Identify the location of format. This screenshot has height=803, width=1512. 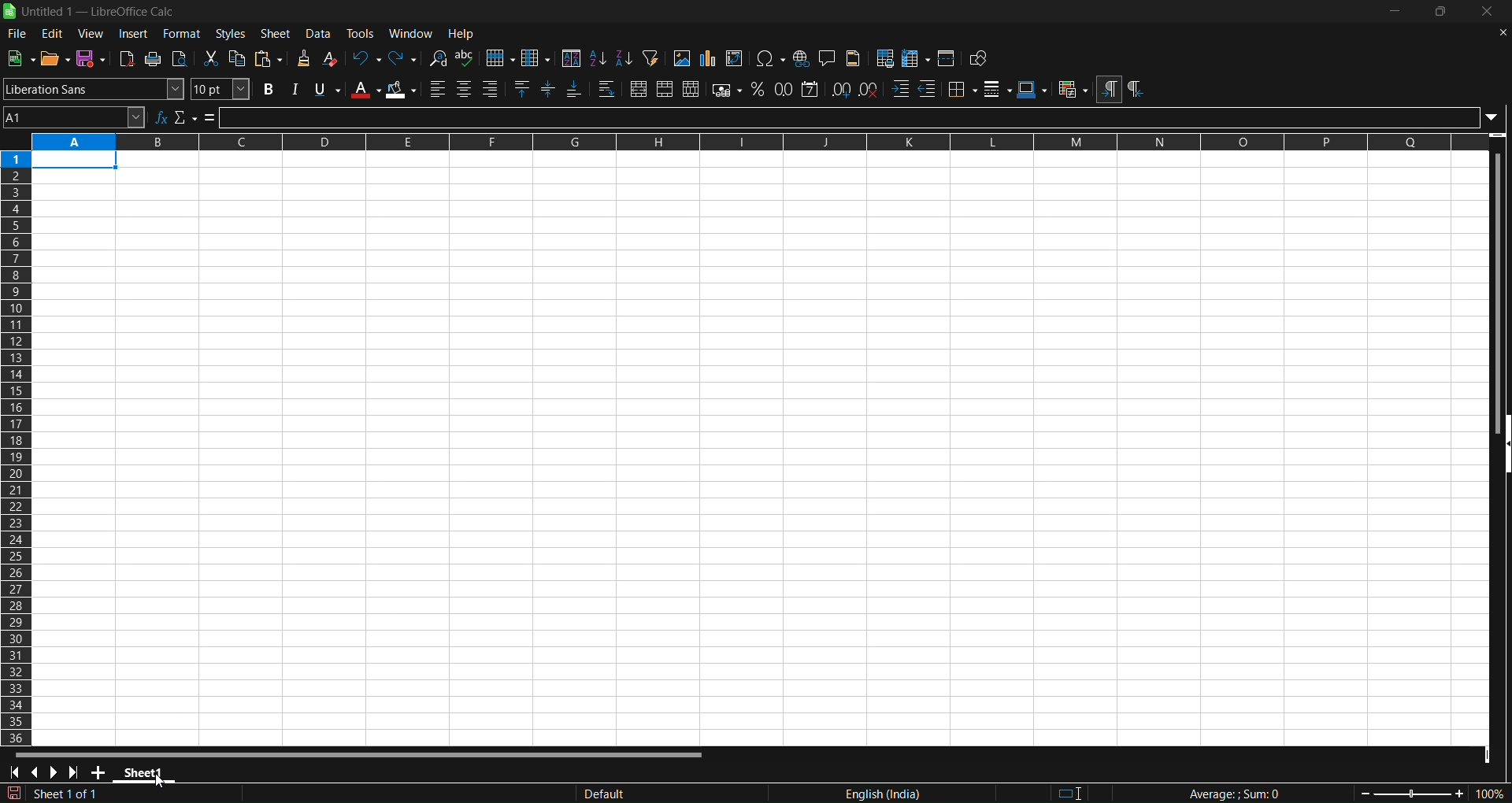
(182, 33).